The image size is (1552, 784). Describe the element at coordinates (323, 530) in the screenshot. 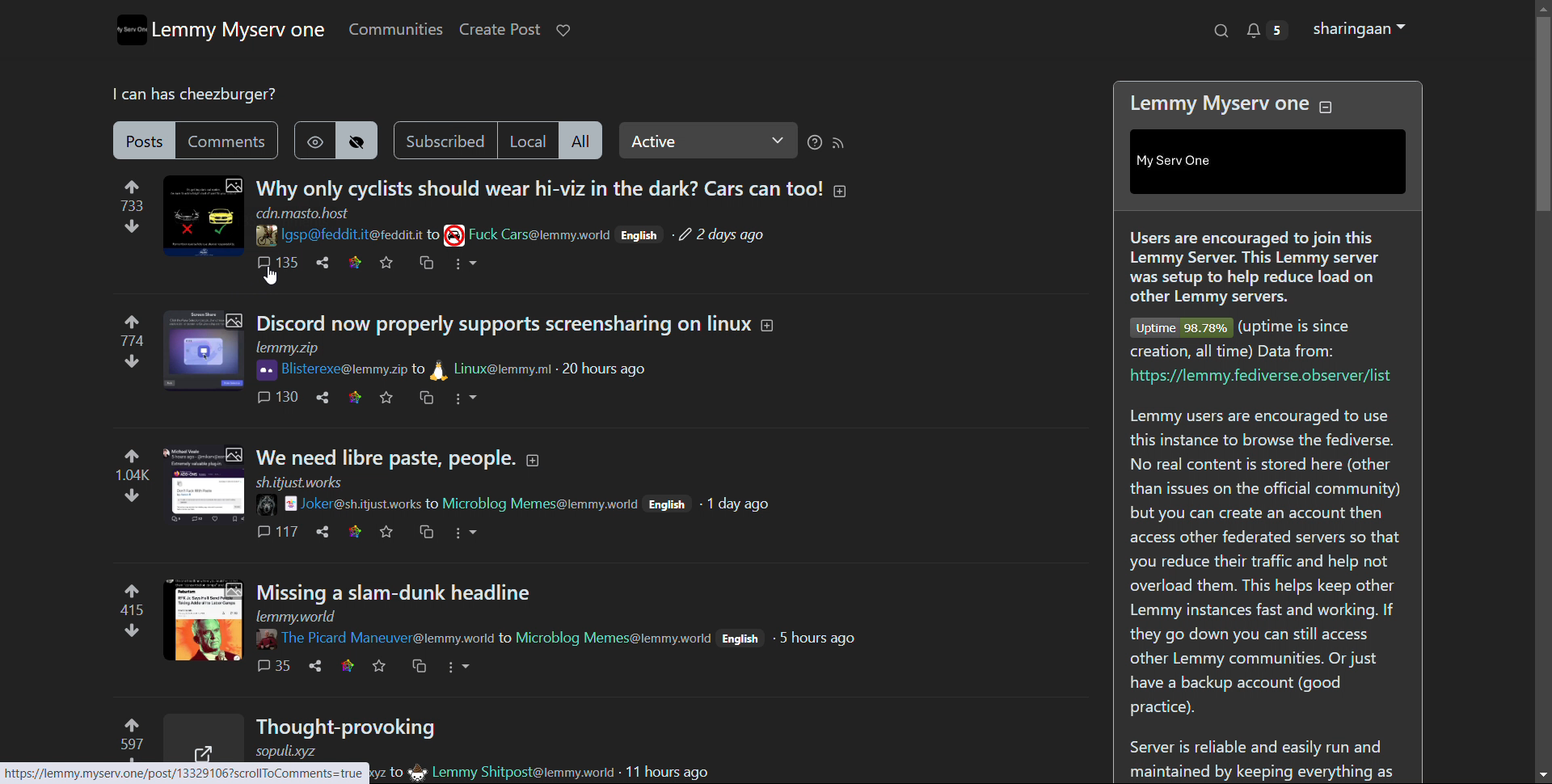

I see `share` at that location.